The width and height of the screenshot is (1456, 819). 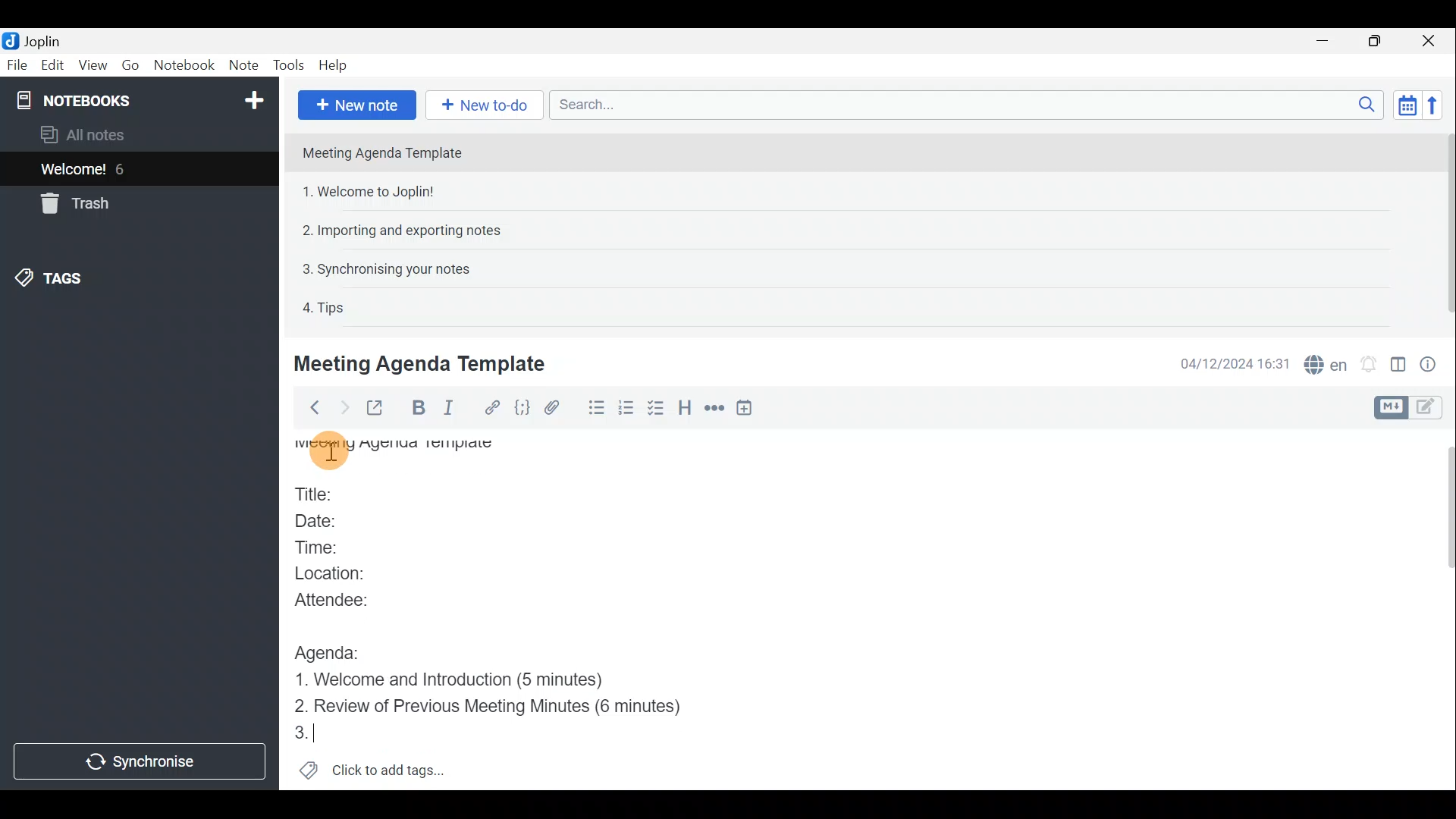 I want to click on Joplin, so click(x=42, y=40).